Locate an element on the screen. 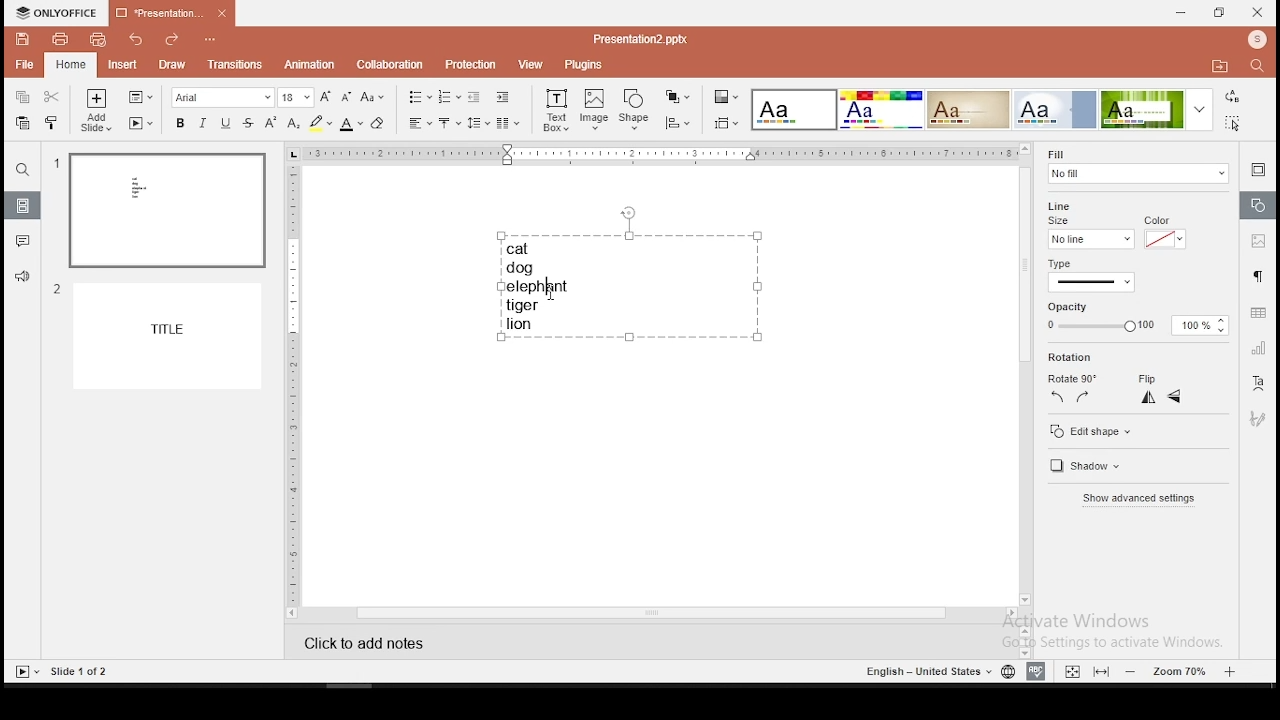  theme  is located at coordinates (880, 109).